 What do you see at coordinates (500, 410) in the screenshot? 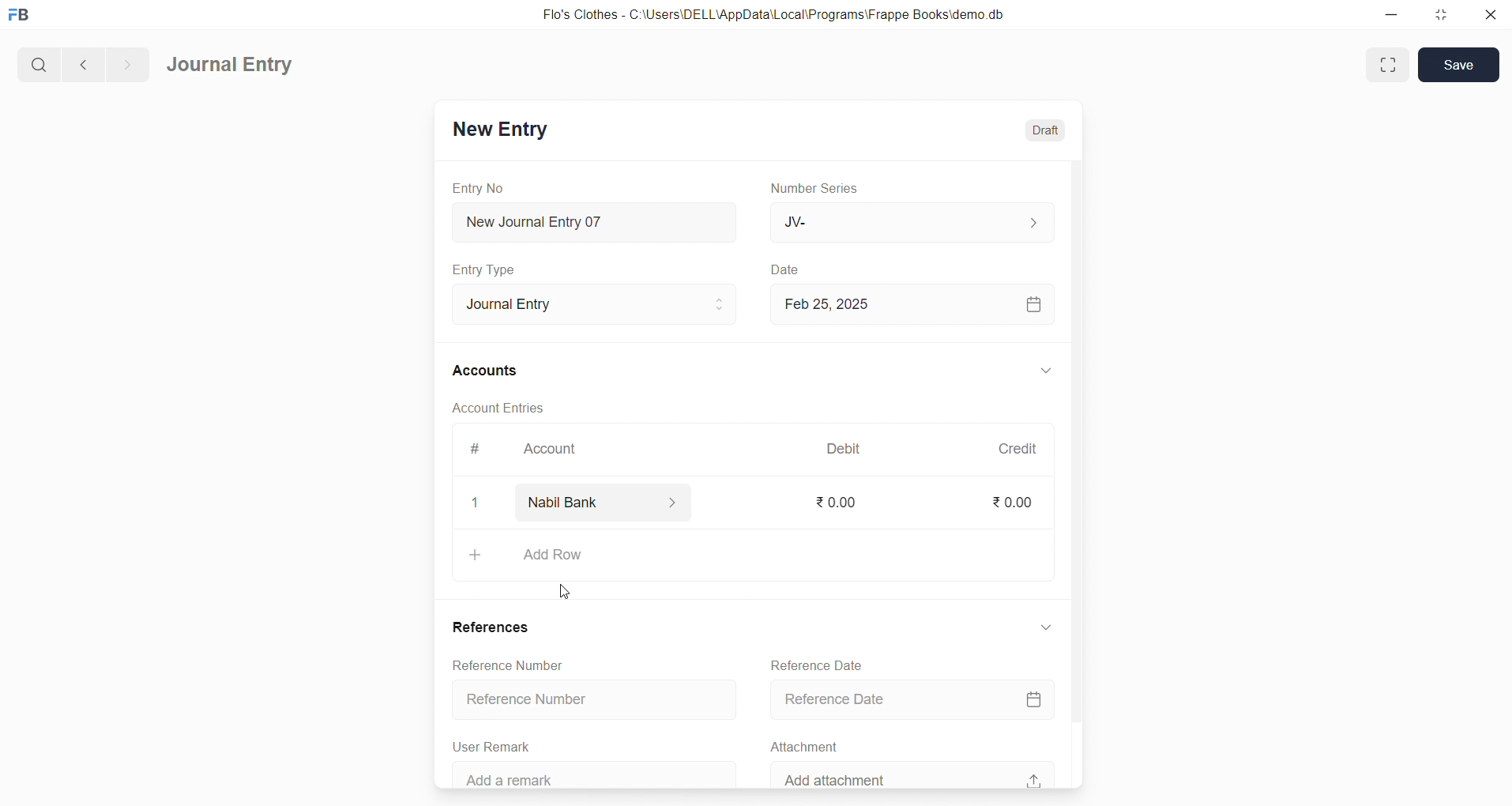
I see `Account Entries` at bounding box center [500, 410].